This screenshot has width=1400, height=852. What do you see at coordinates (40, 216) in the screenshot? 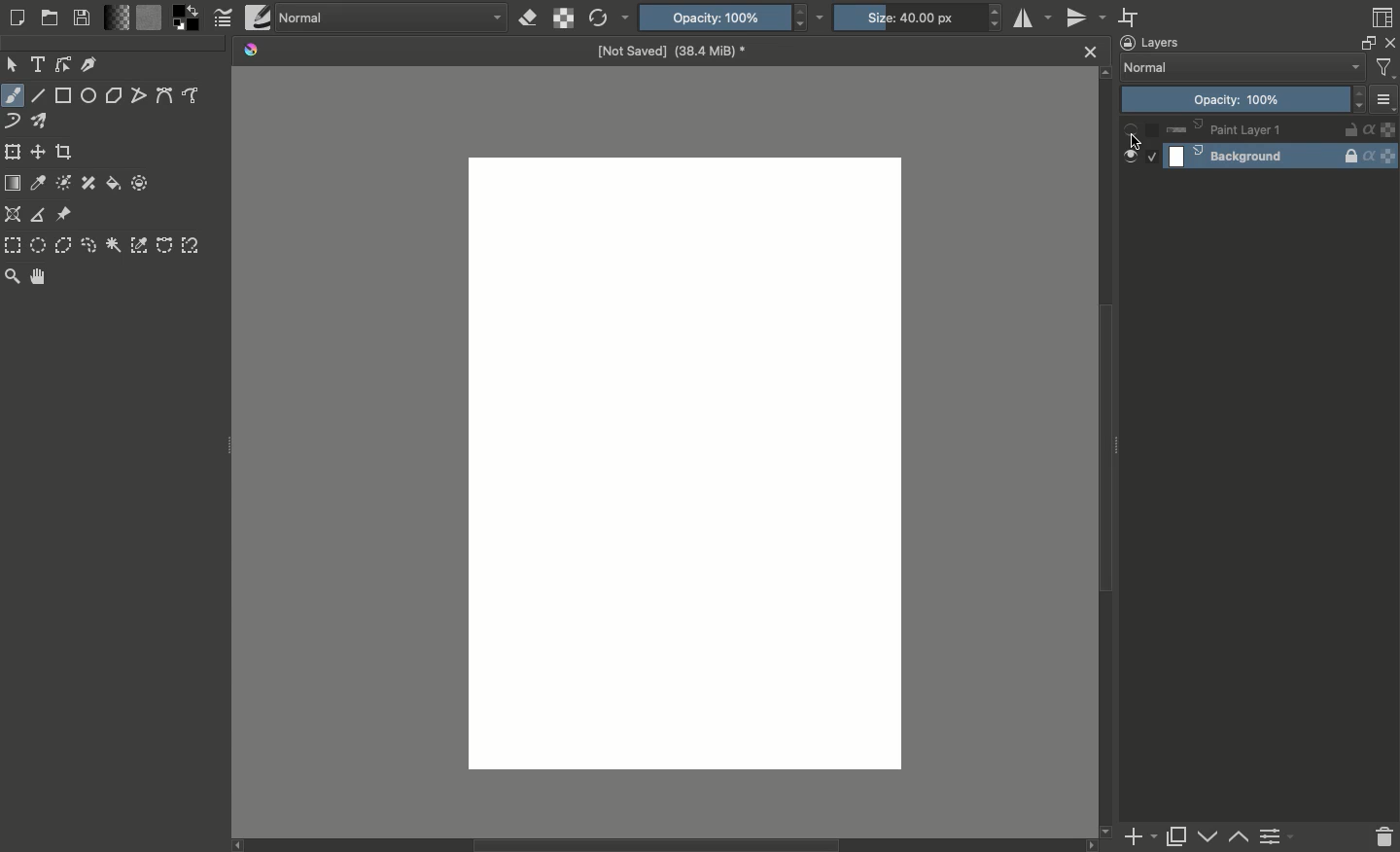
I see `Measure the distance` at bounding box center [40, 216].